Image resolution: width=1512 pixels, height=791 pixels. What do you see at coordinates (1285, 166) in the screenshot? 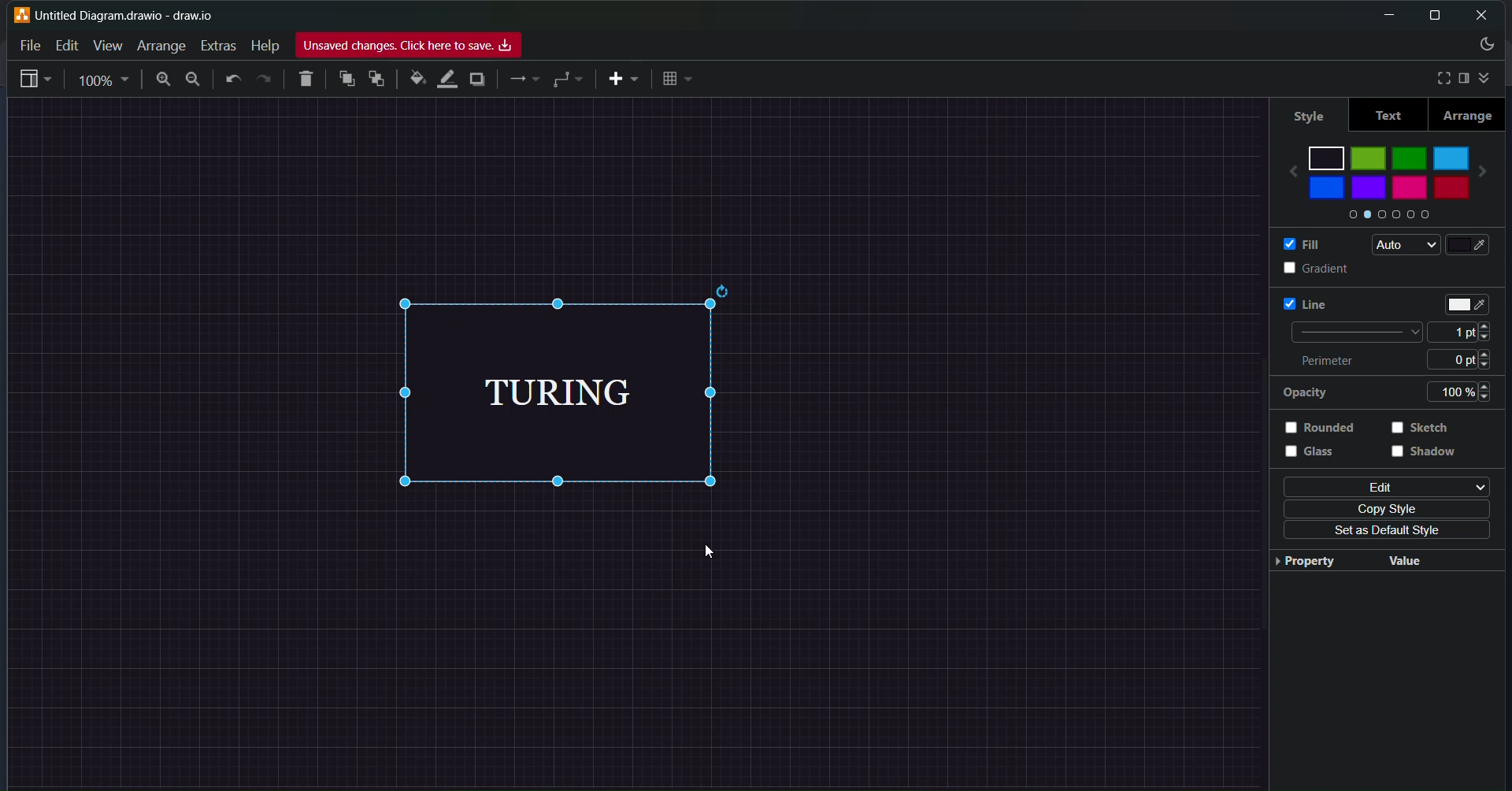
I see `back` at bounding box center [1285, 166].